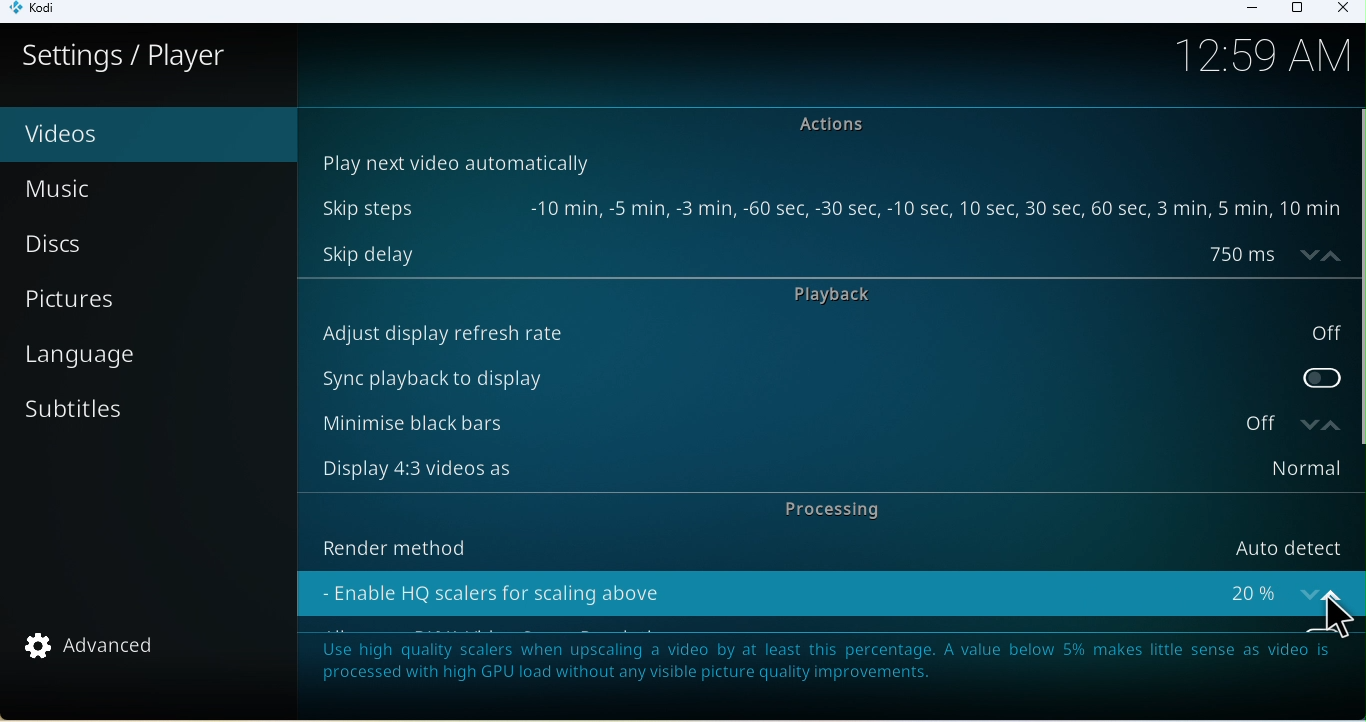 Image resolution: width=1366 pixels, height=722 pixels. What do you see at coordinates (453, 161) in the screenshot?
I see `Play next video automatically` at bounding box center [453, 161].